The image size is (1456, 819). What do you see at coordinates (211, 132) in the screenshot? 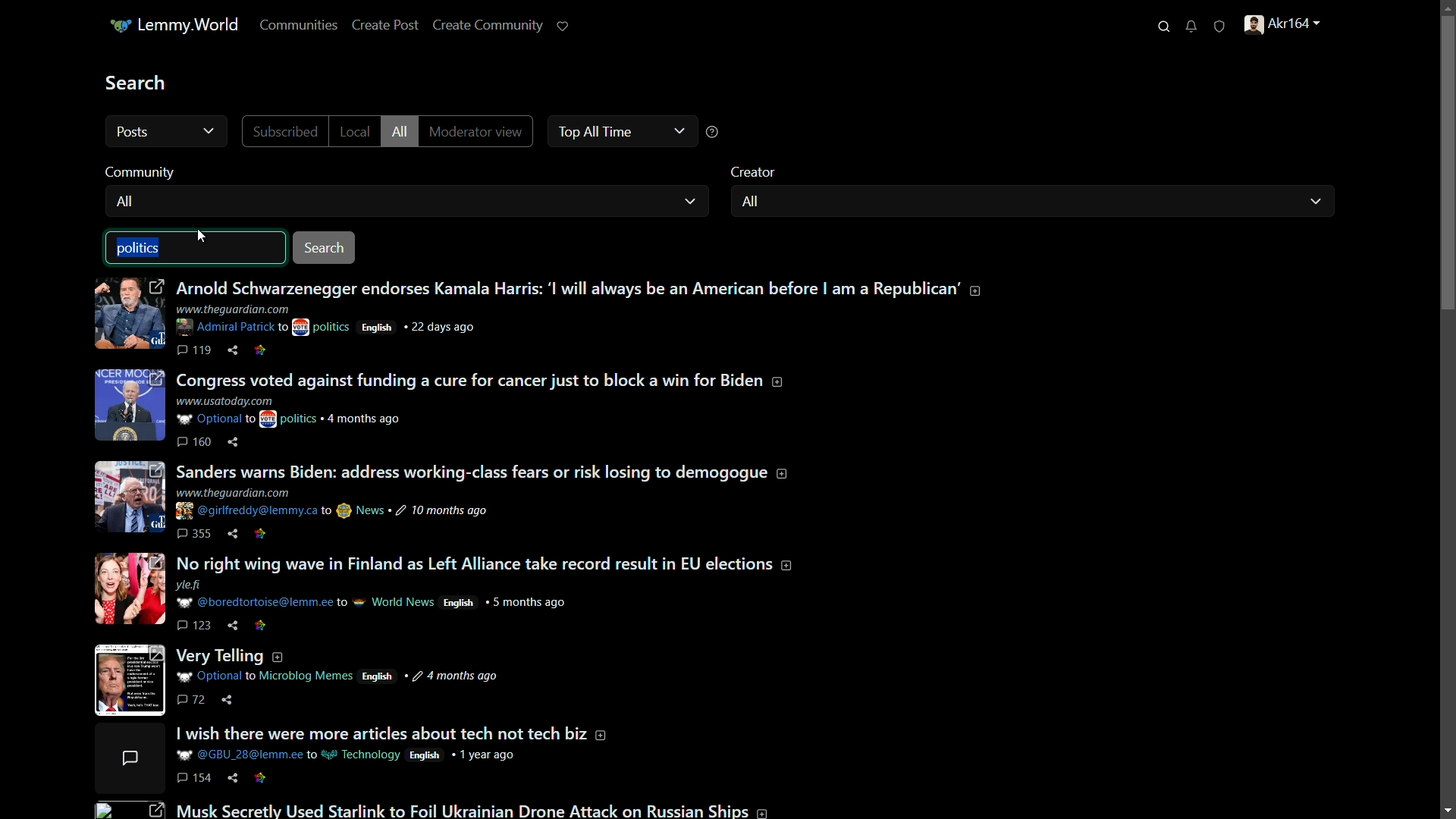
I see `cursor` at bounding box center [211, 132].